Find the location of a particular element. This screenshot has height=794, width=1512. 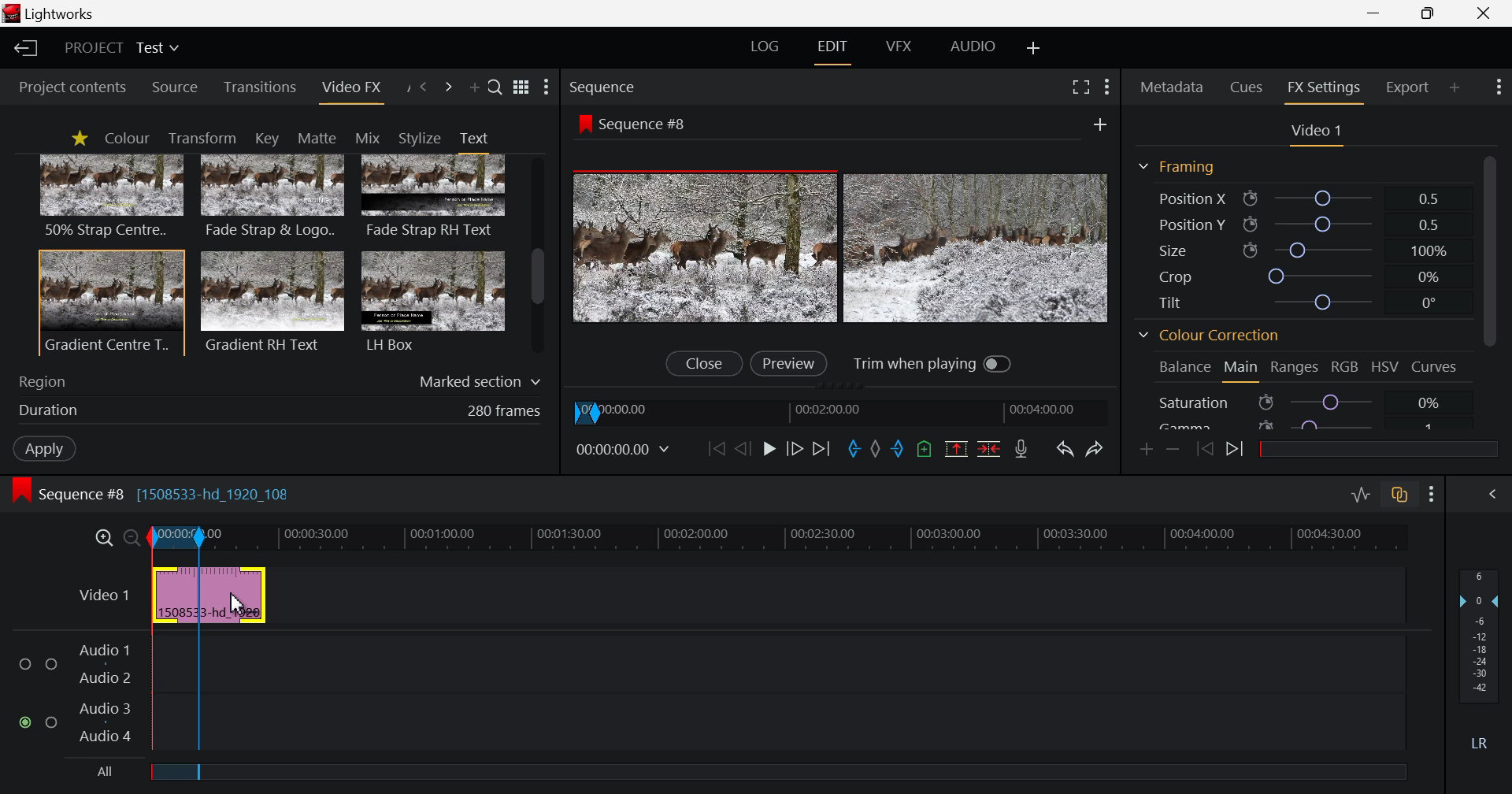

Delete/Cut is located at coordinates (989, 451).